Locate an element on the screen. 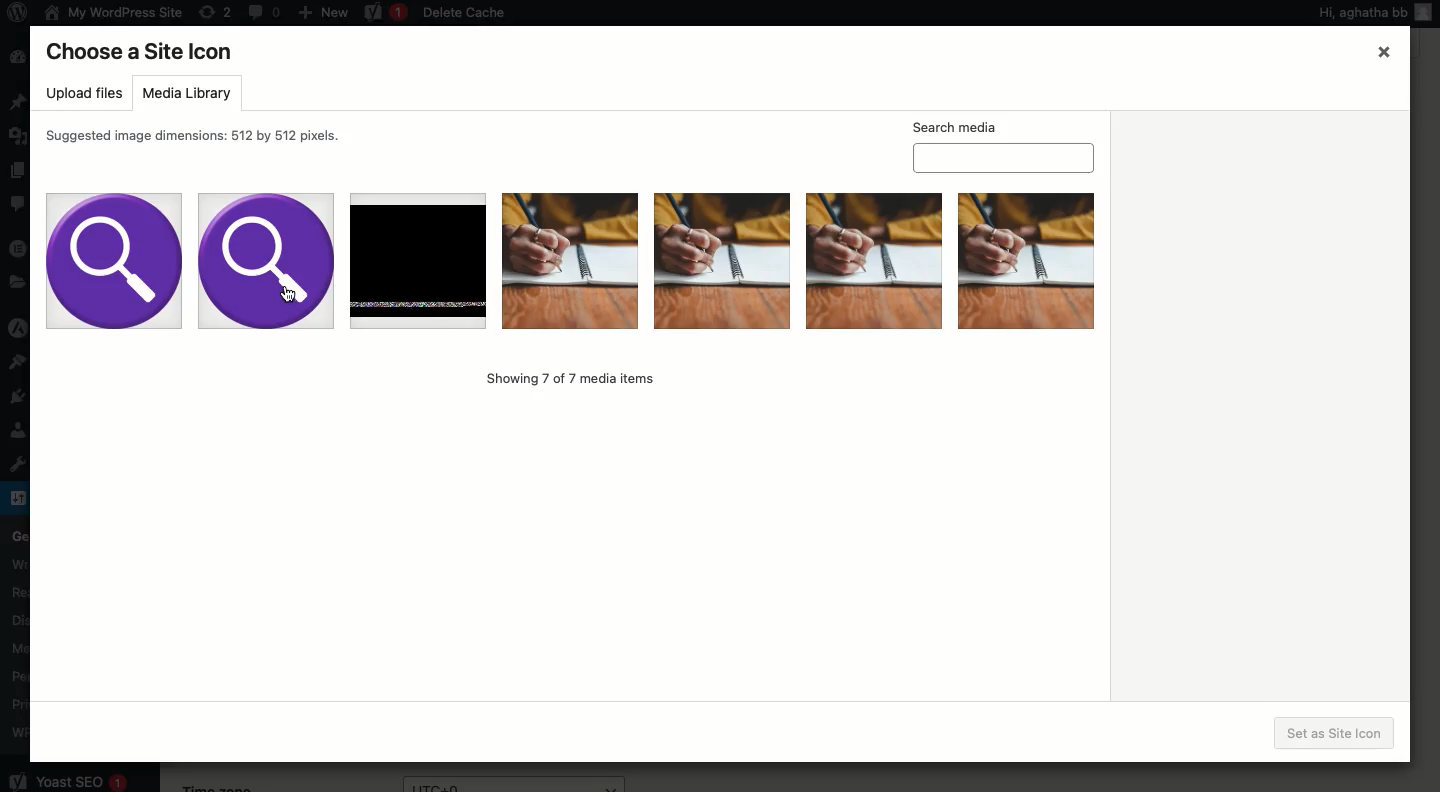 The height and width of the screenshot is (792, 1440). Set as site icon is located at coordinates (1338, 733).